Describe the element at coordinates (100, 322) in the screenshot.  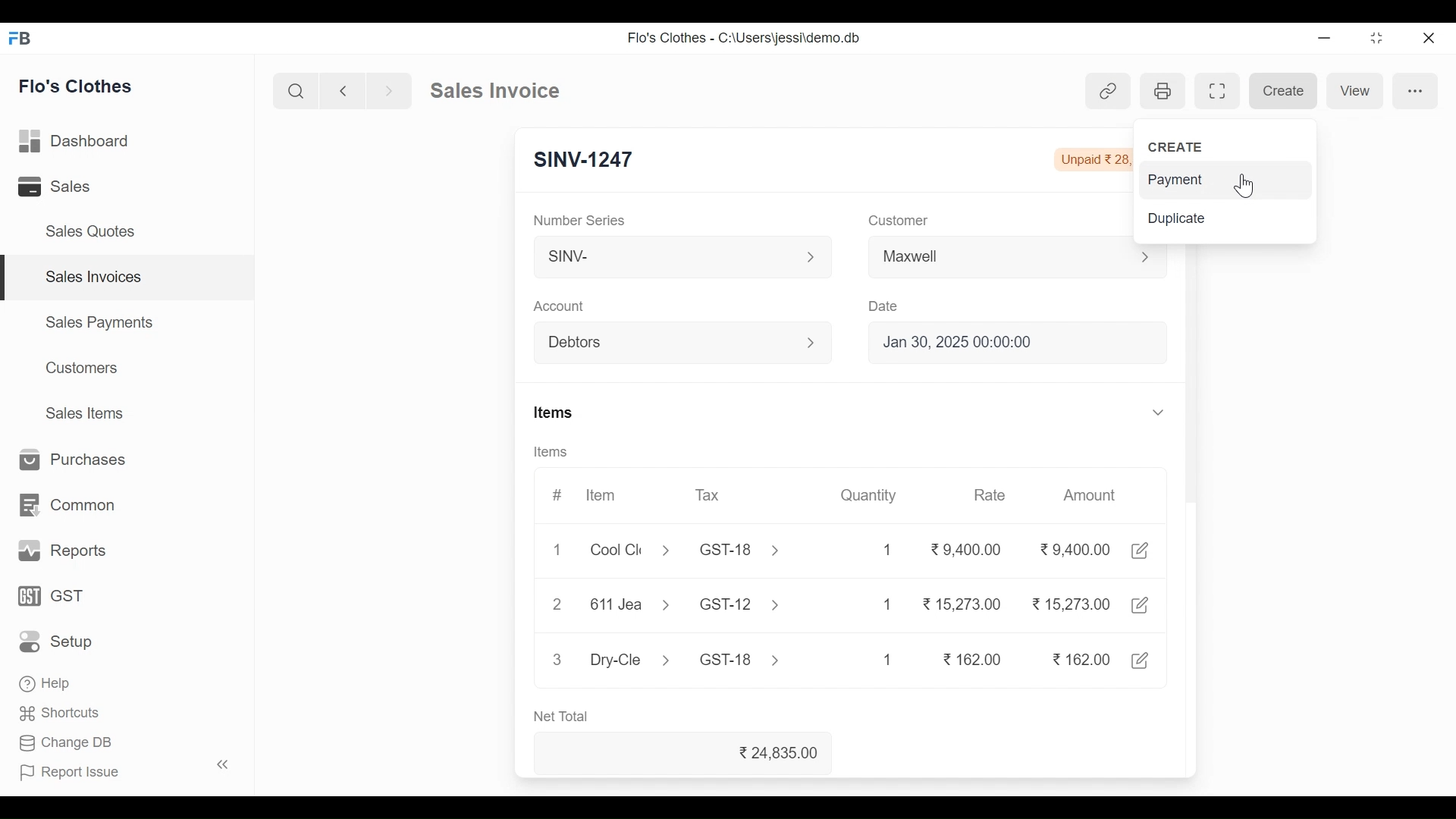
I see `Sales Payments` at that location.